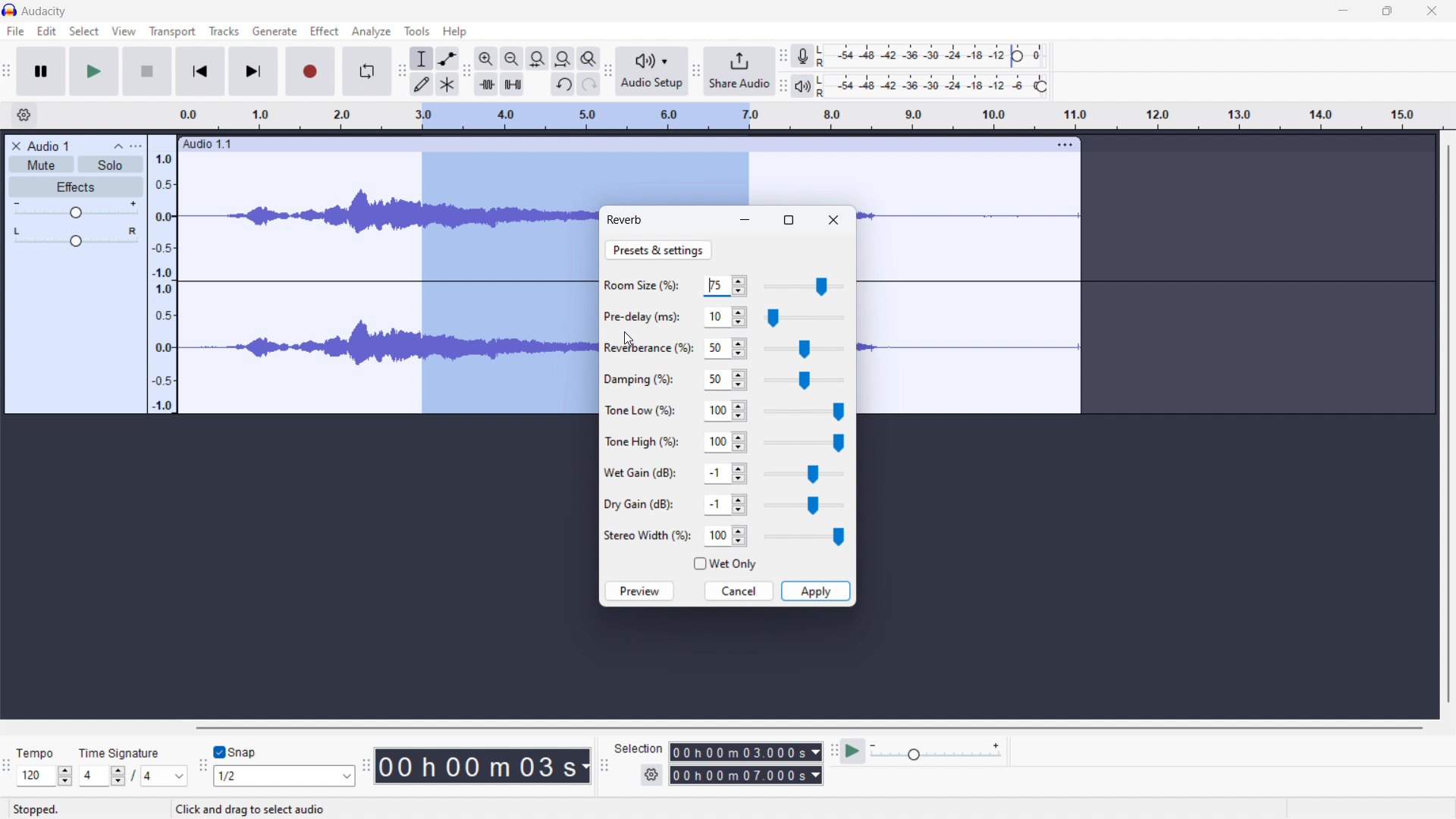 The height and width of the screenshot is (819, 1456). What do you see at coordinates (626, 220) in the screenshot?
I see `reverb dialoguebox` at bounding box center [626, 220].